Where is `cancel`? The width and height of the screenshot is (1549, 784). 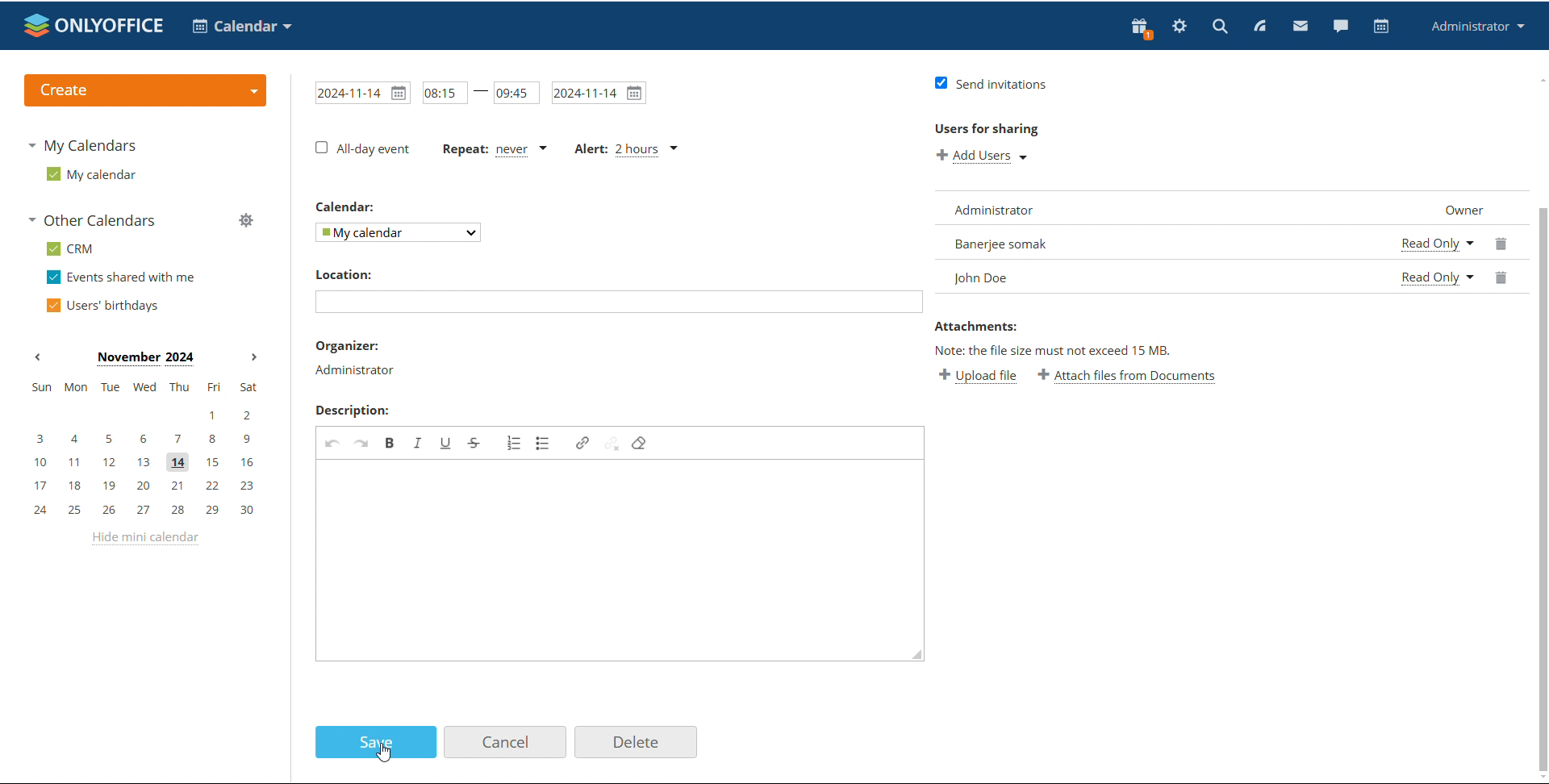
cancel is located at coordinates (506, 743).